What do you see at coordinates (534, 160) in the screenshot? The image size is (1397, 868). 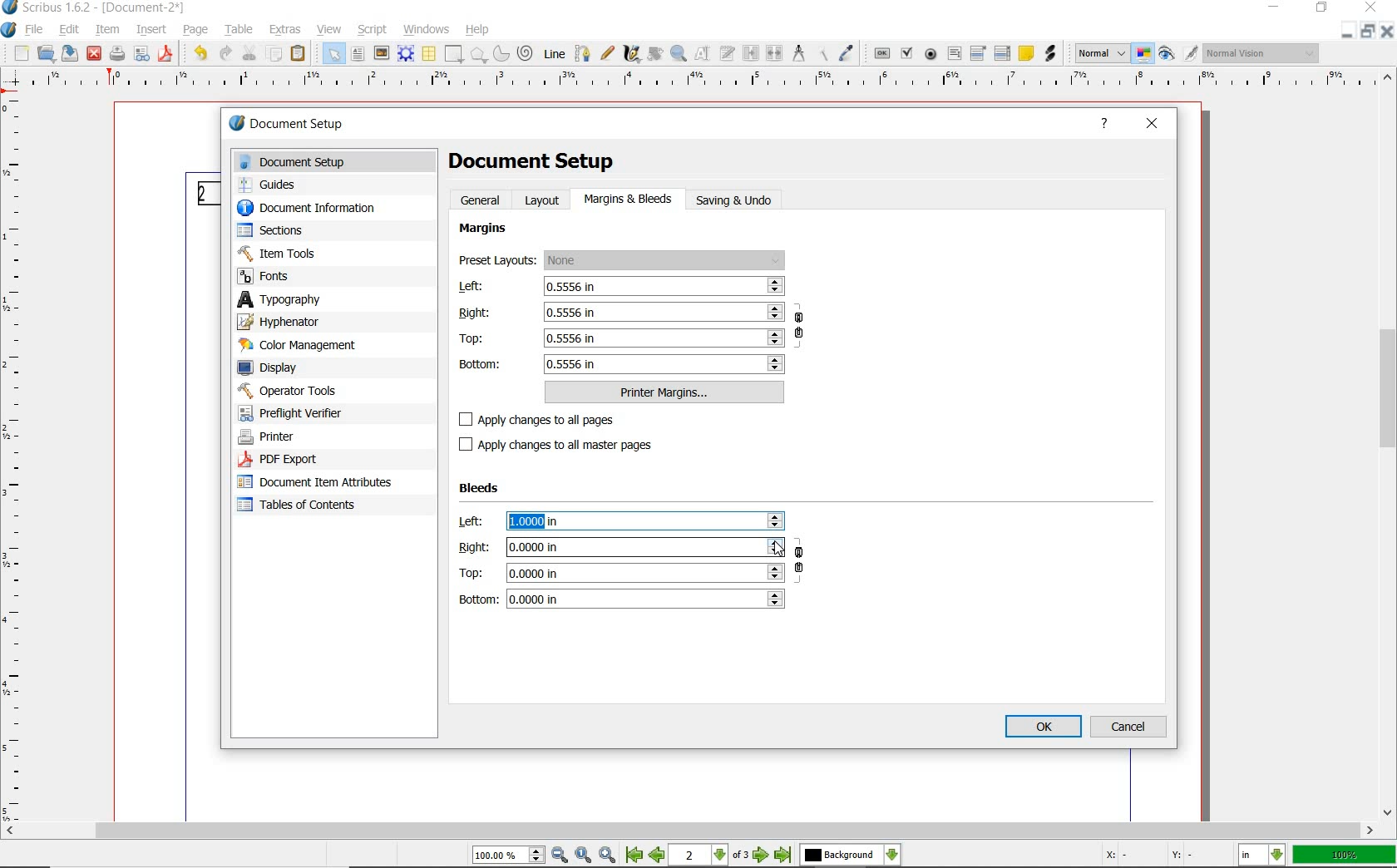 I see `document setup` at bounding box center [534, 160].